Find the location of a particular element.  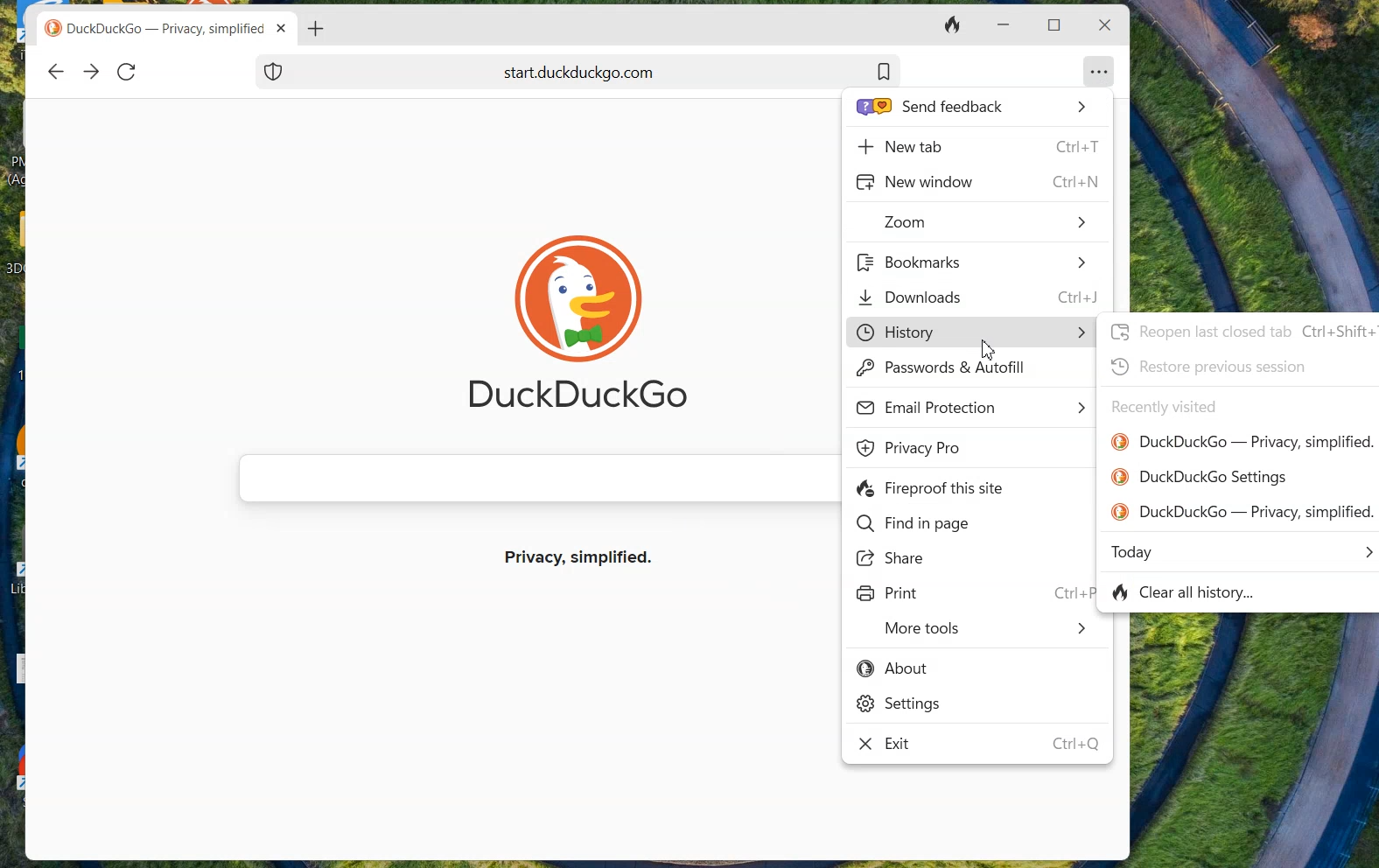

Minimize is located at coordinates (1001, 26).